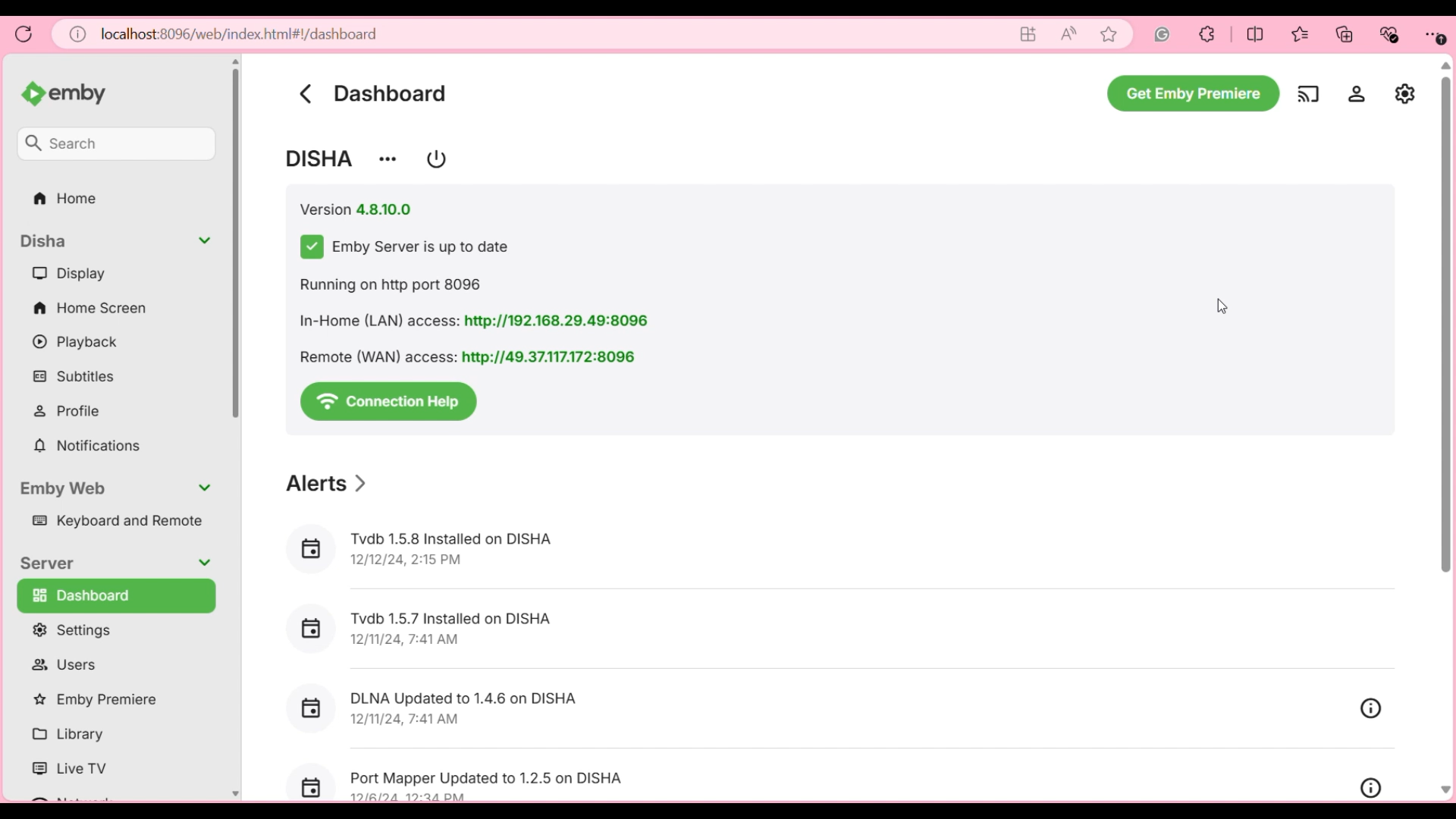 The width and height of the screenshot is (1456, 819). What do you see at coordinates (111, 342) in the screenshot?
I see `Playback` at bounding box center [111, 342].